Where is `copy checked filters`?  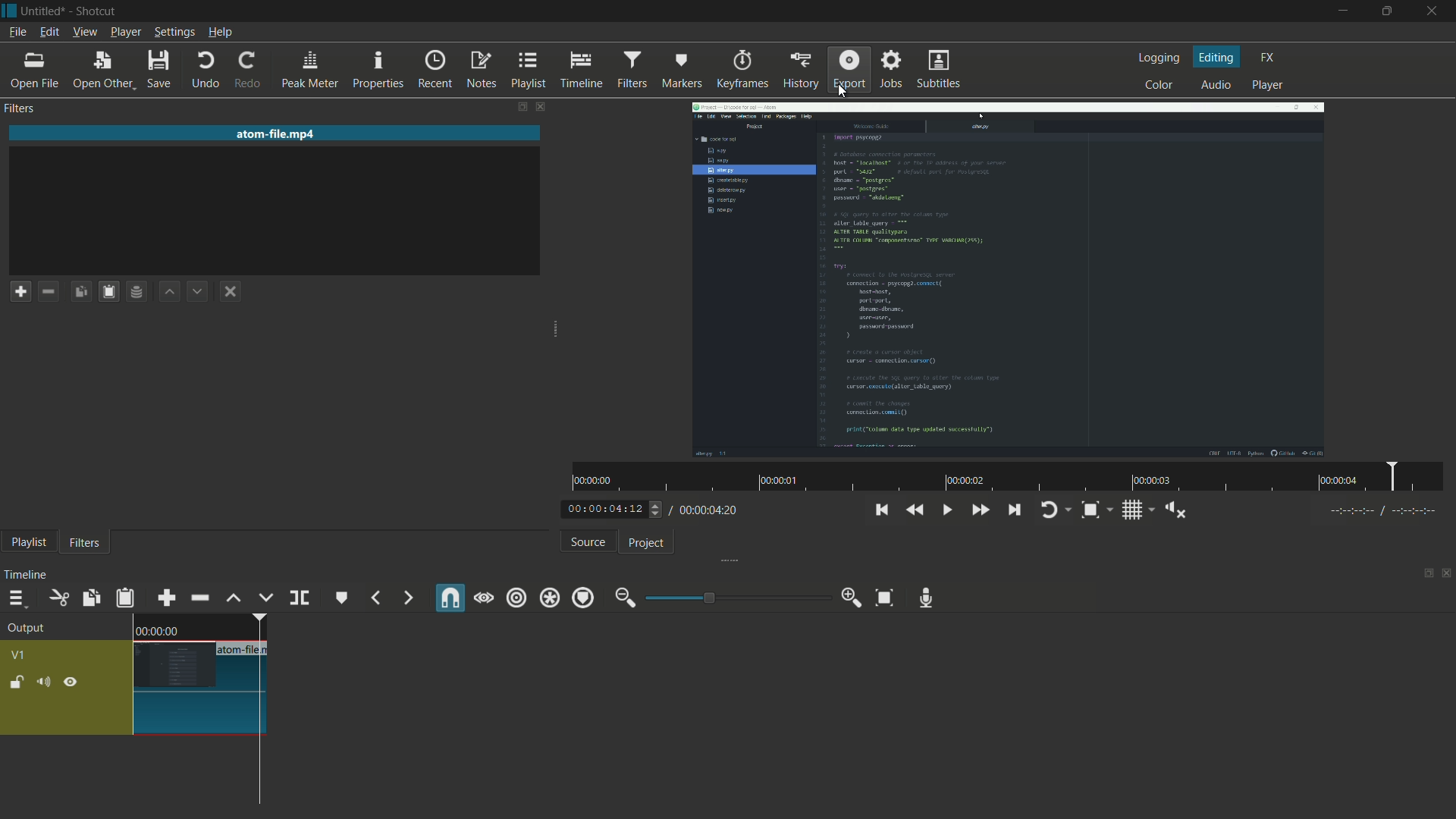 copy checked filters is located at coordinates (81, 291).